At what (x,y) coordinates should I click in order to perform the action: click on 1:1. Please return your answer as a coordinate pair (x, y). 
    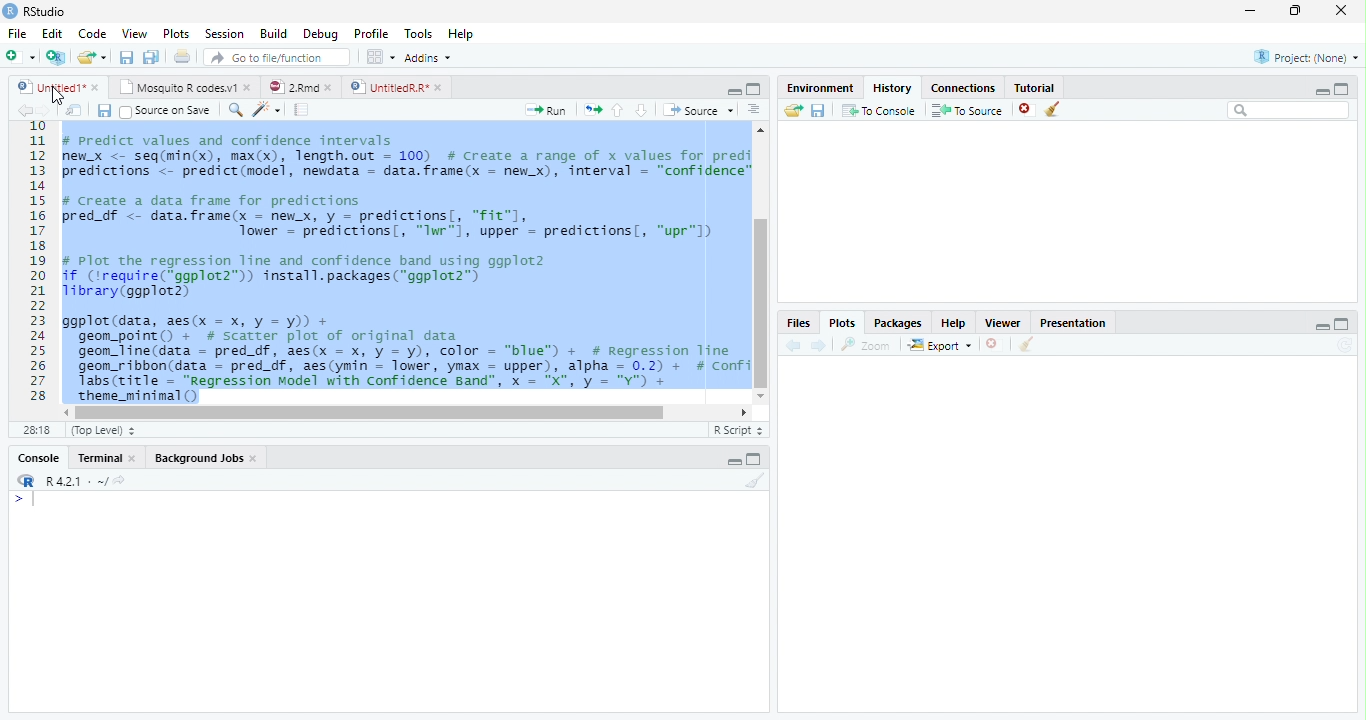
    Looking at the image, I should click on (32, 433).